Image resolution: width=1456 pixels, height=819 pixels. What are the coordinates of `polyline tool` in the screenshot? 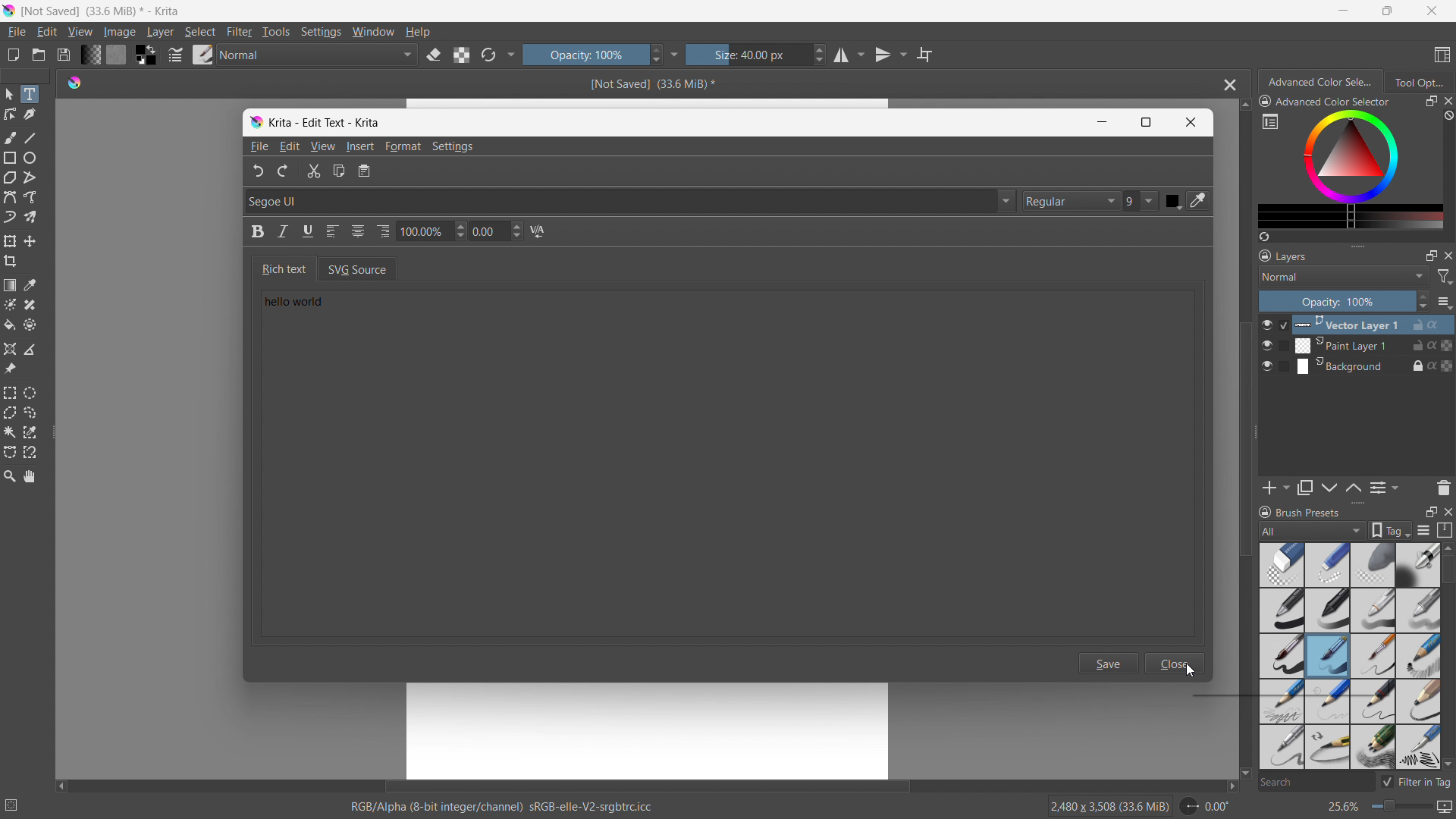 It's located at (30, 179).